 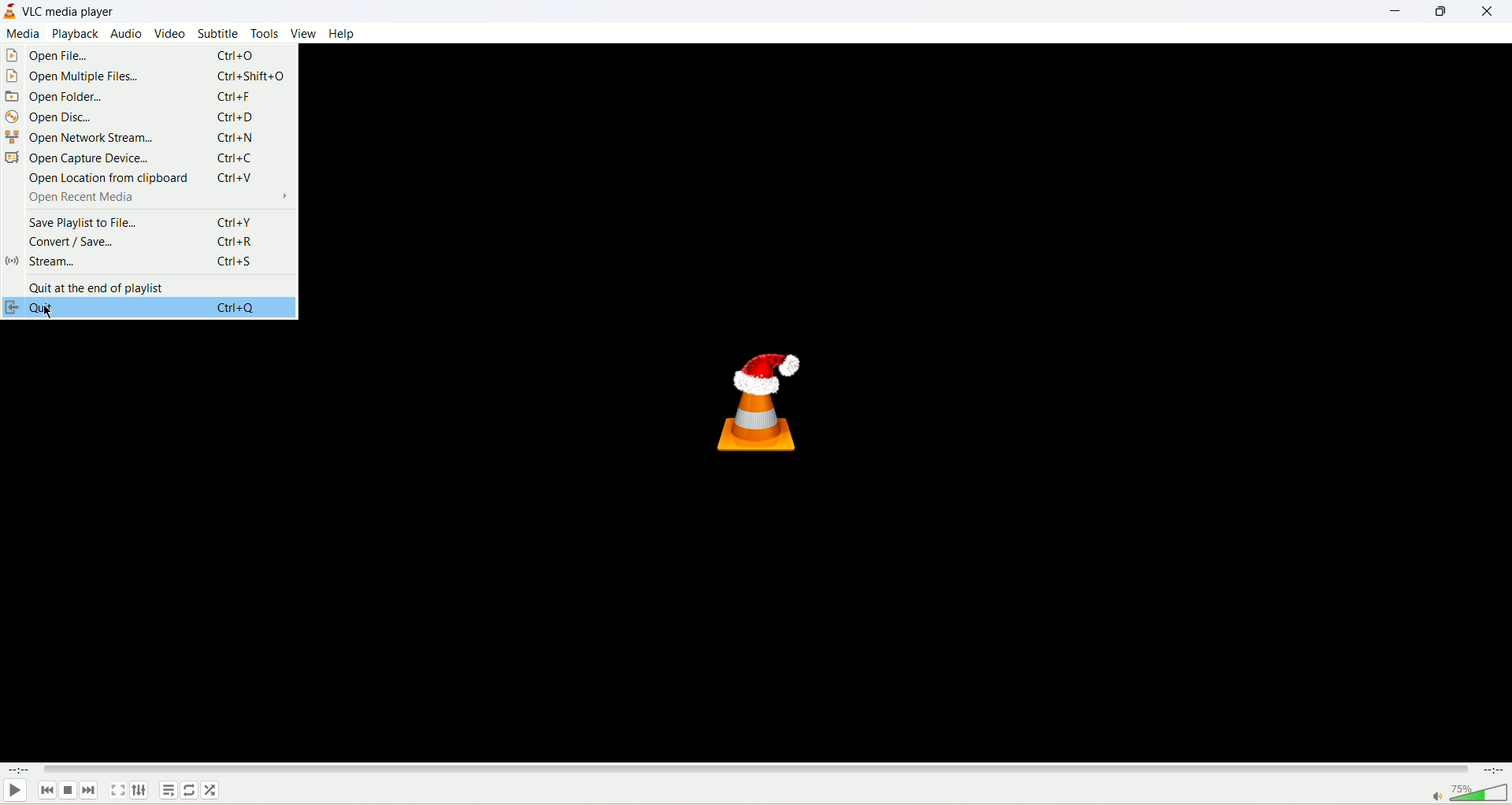 What do you see at coordinates (264, 35) in the screenshot?
I see `tools` at bounding box center [264, 35].